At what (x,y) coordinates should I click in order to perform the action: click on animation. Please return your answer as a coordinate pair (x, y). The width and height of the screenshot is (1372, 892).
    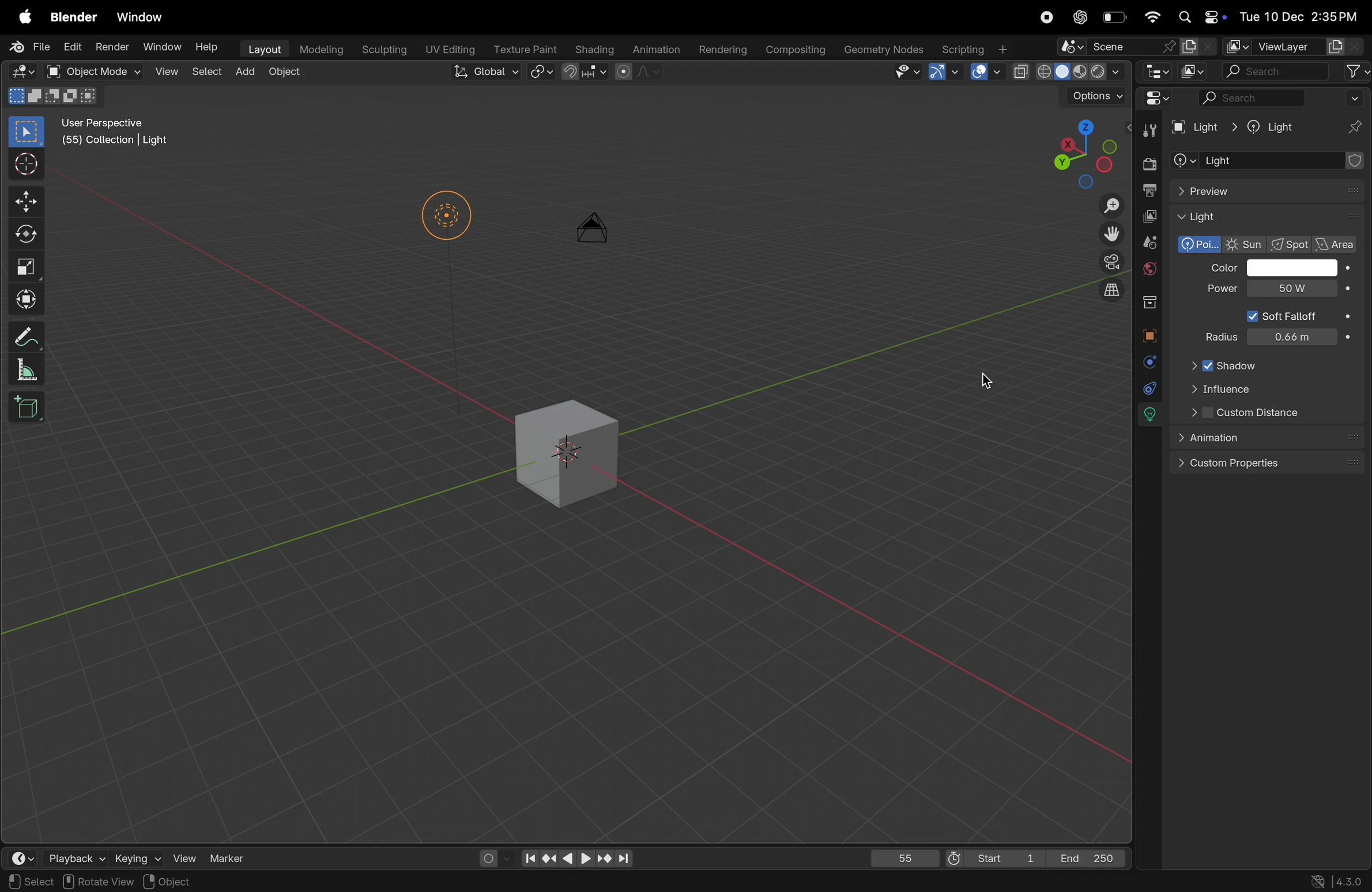
    Looking at the image, I should click on (1269, 439).